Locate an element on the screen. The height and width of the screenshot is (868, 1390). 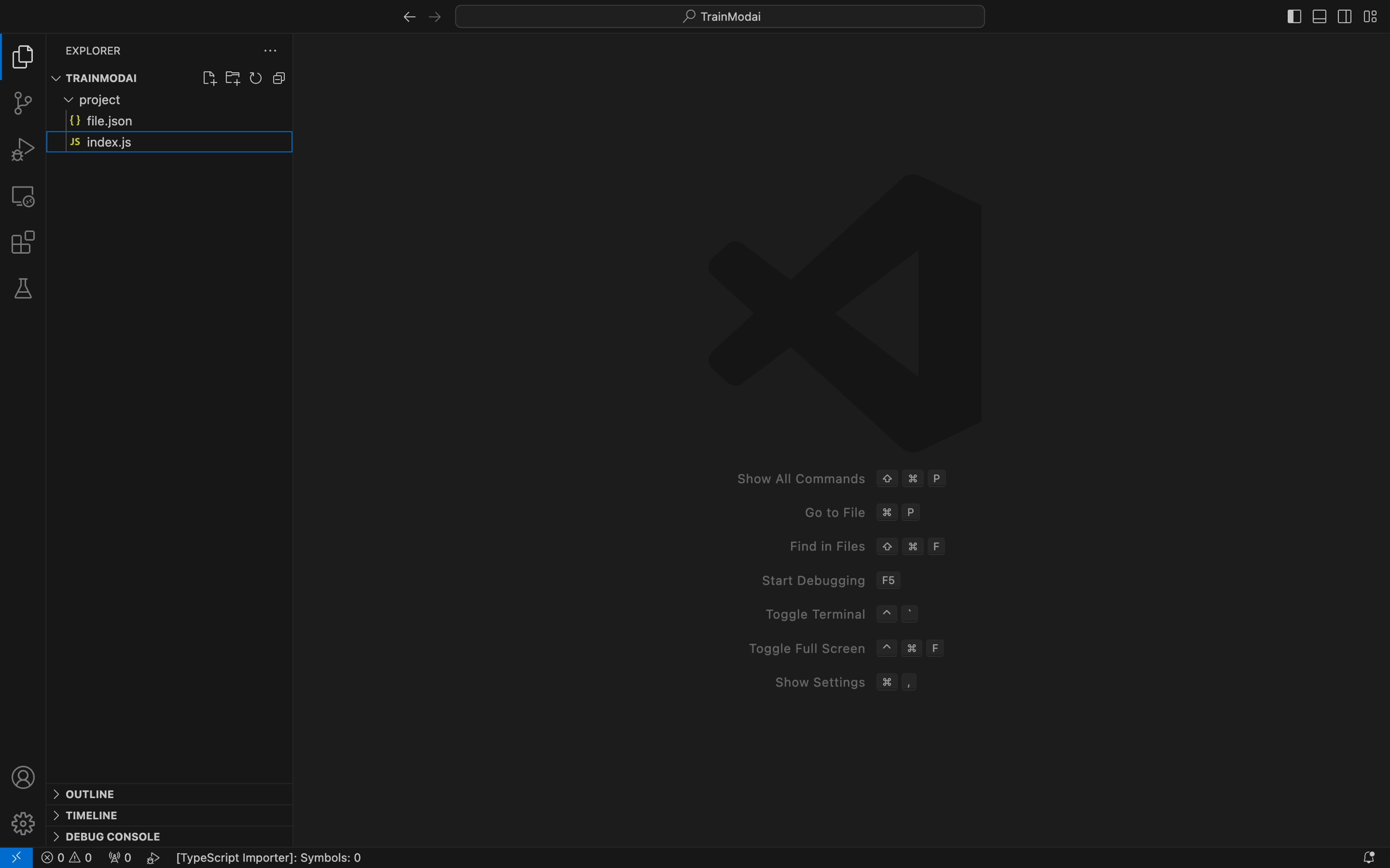
sidebar bottom is located at coordinates (1318, 18).